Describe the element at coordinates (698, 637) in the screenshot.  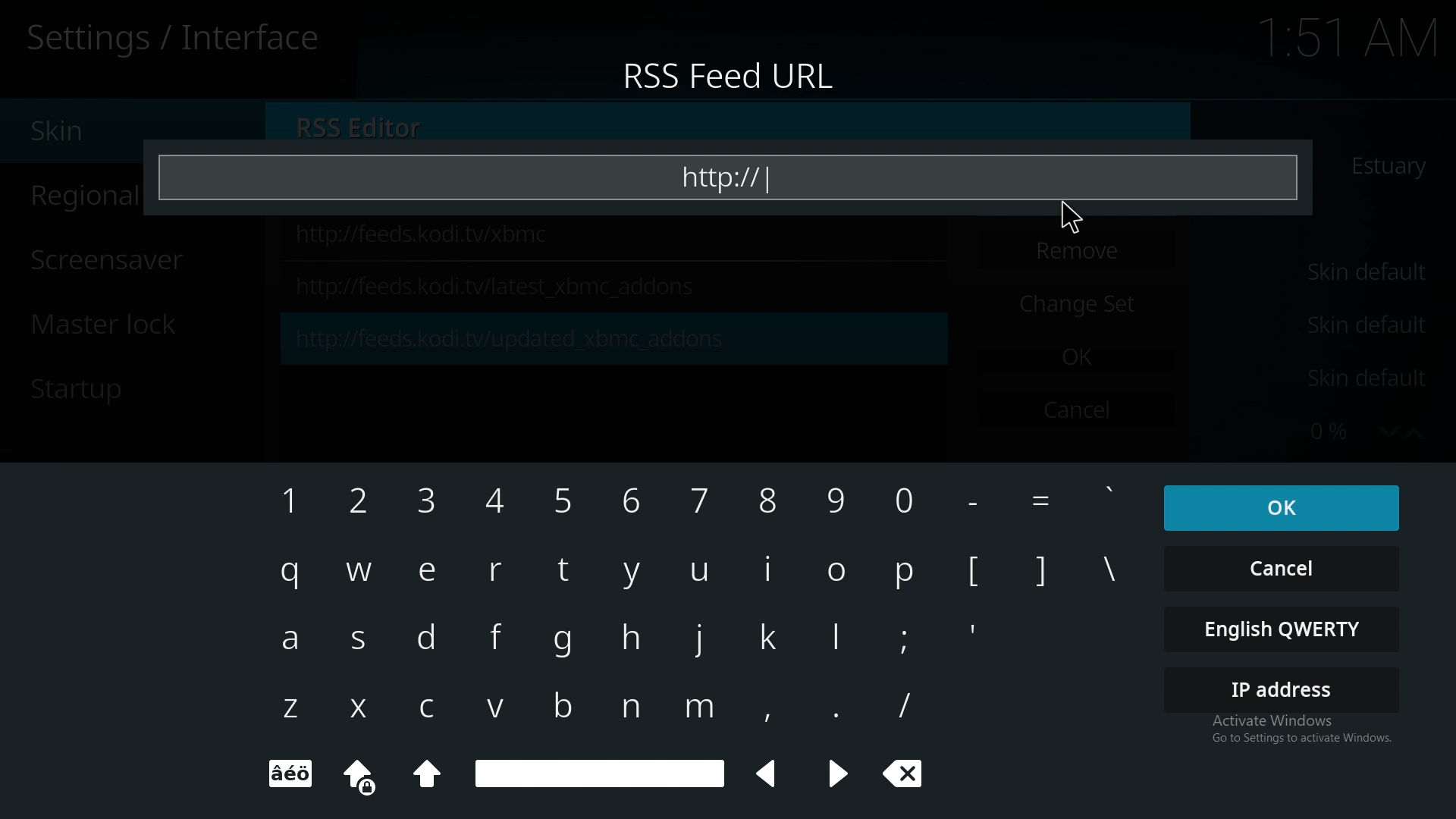
I see `keyboard Input` at that location.